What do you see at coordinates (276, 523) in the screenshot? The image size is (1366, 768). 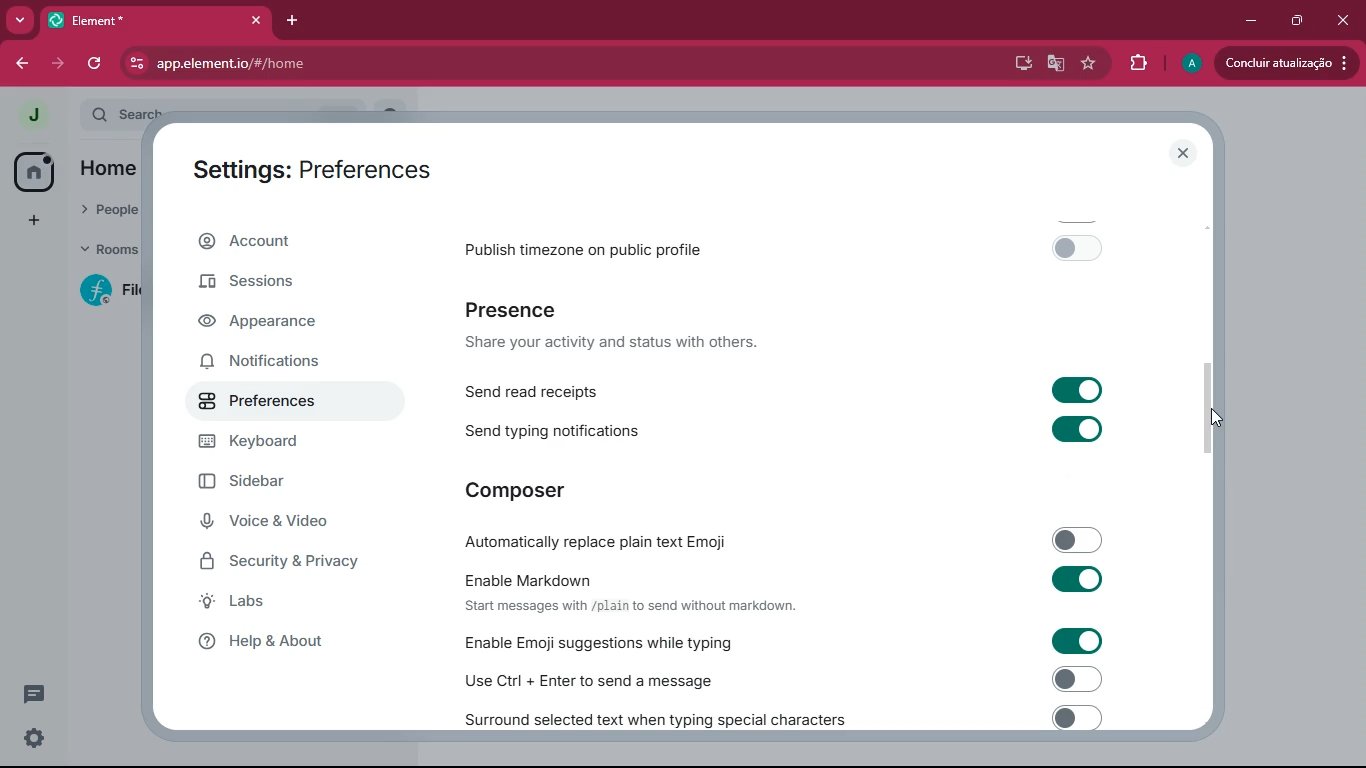 I see `voice` at bounding box center [276, 523].